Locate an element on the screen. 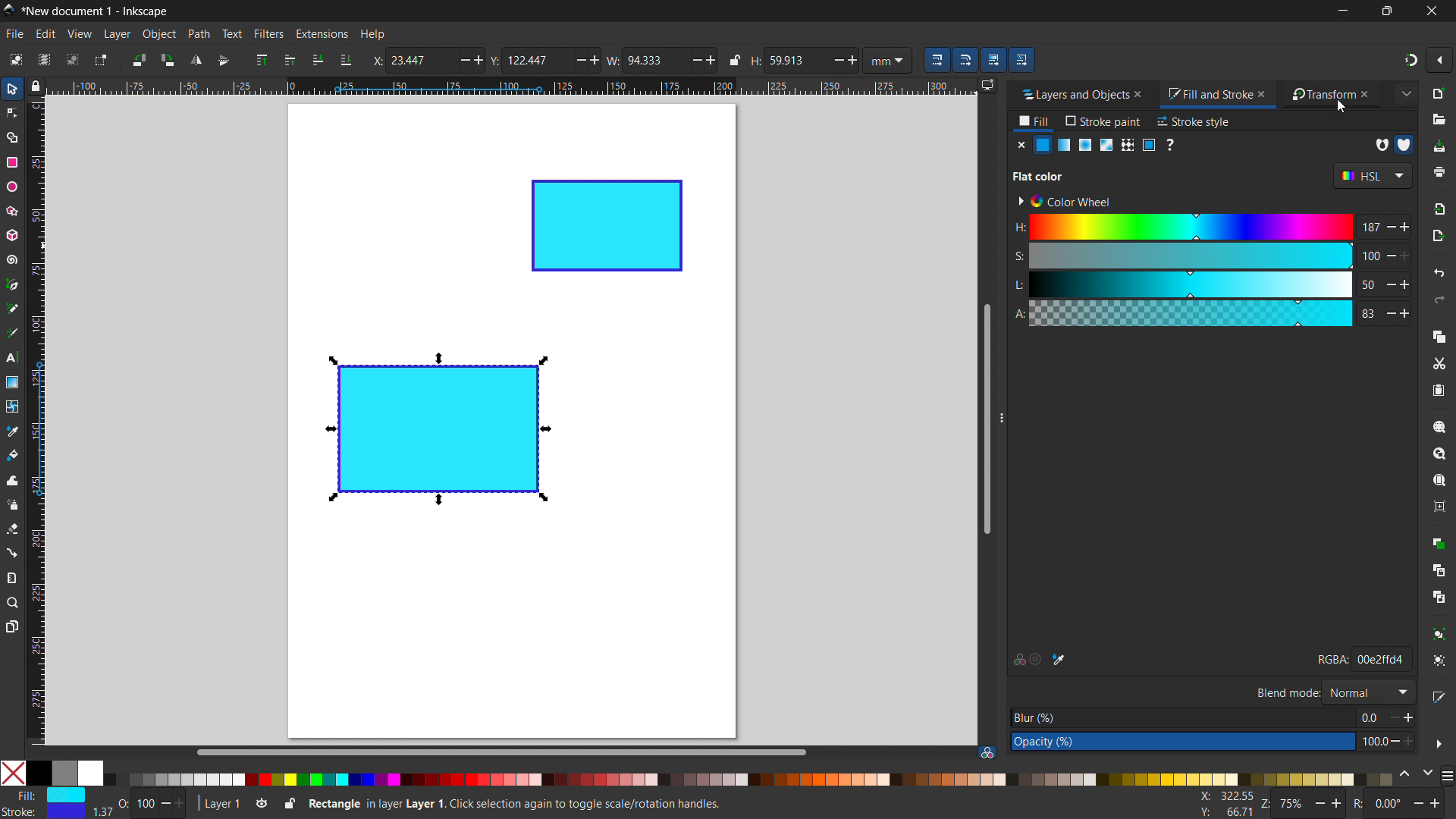 This screenshot has height=819, width=1456. redo is located at coordinates (1439, 300).